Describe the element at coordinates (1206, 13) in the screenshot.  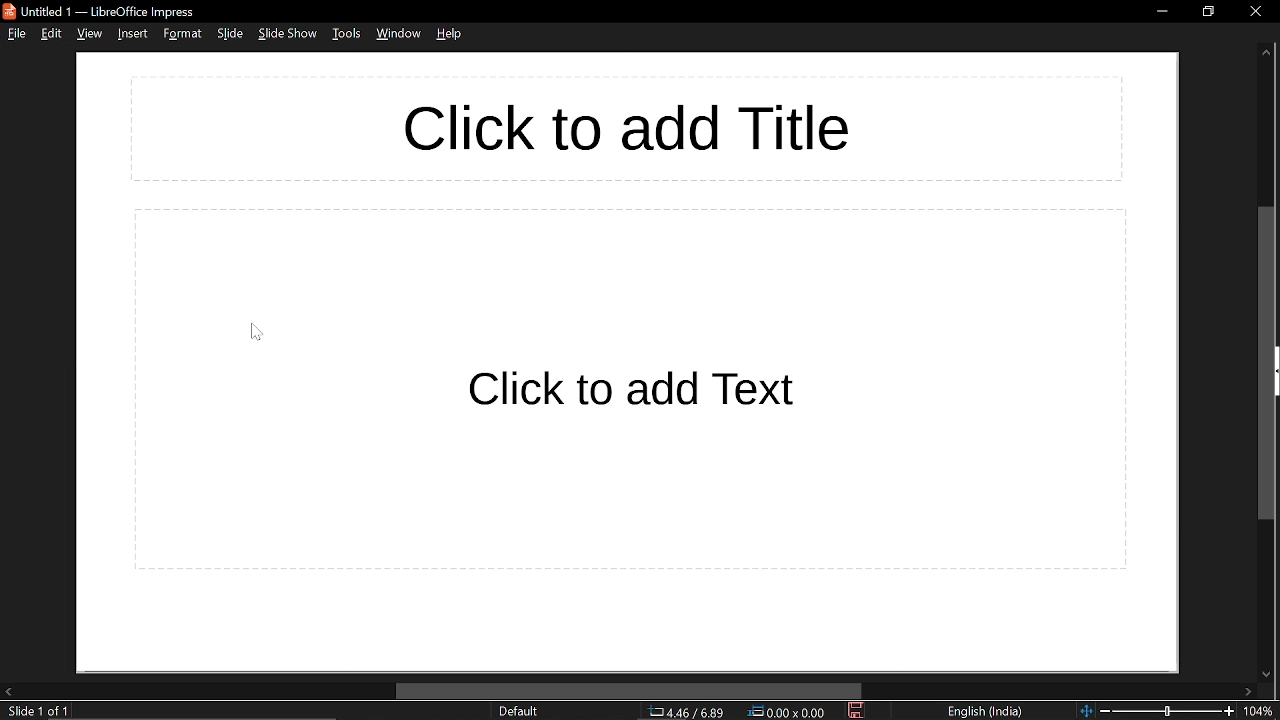
I see `restore down` at that location.